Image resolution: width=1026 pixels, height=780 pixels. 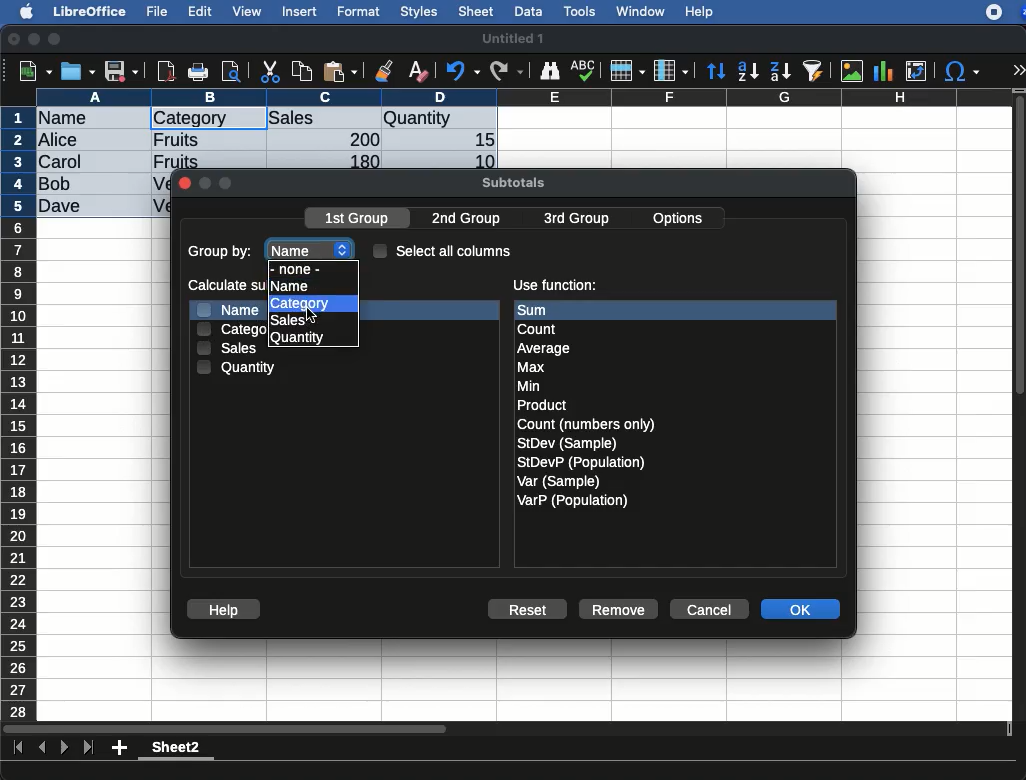 I want to click on close, so click(x=184, y=185).